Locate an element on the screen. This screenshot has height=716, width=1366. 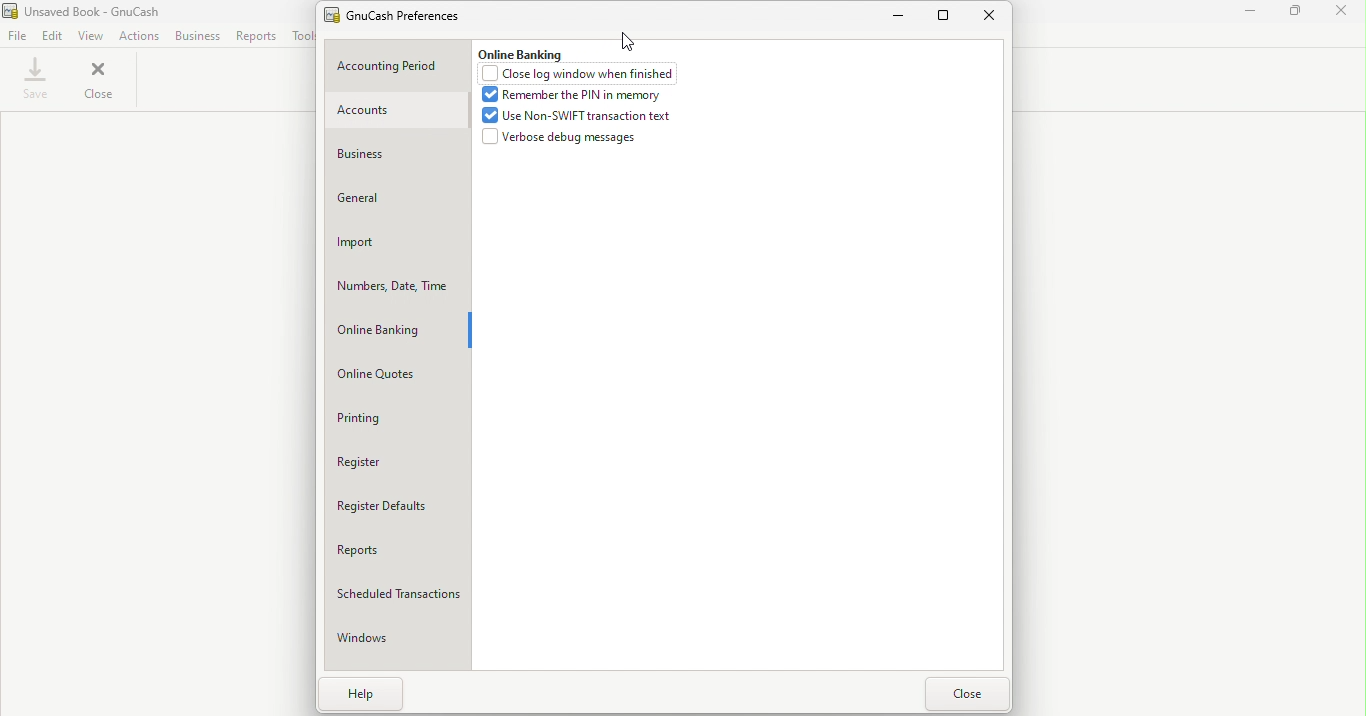
File is located at coordinates (16, 36).